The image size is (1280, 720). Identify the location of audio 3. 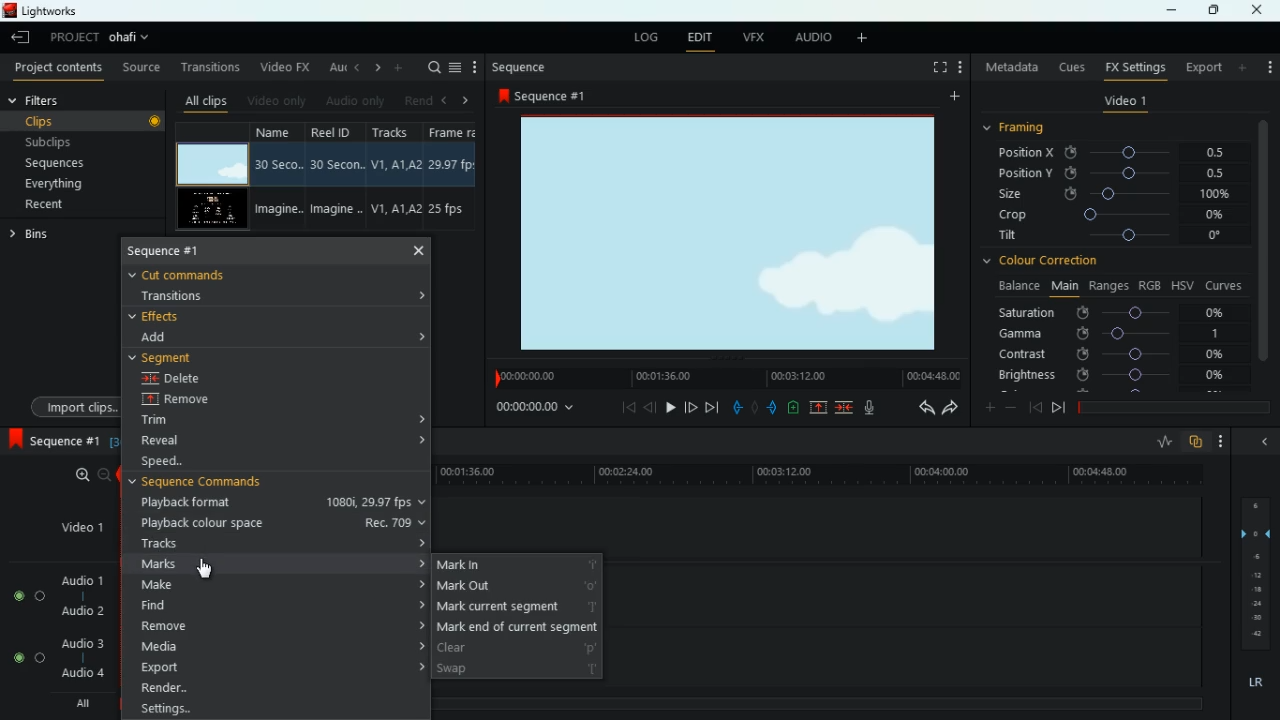
(77, 642).